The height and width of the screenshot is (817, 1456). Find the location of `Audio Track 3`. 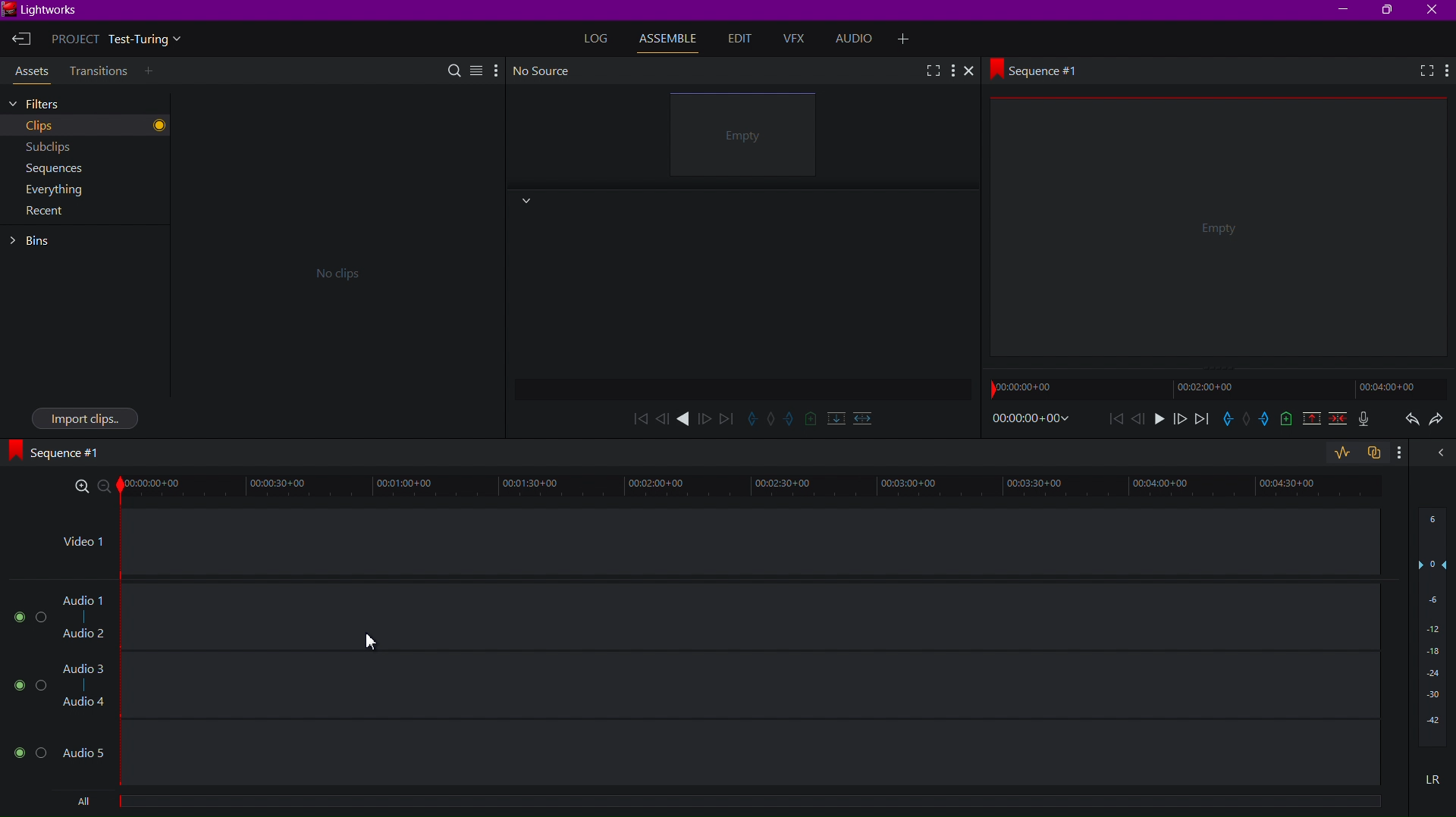

Audio Track 3 is located at coordinates (751, 753).